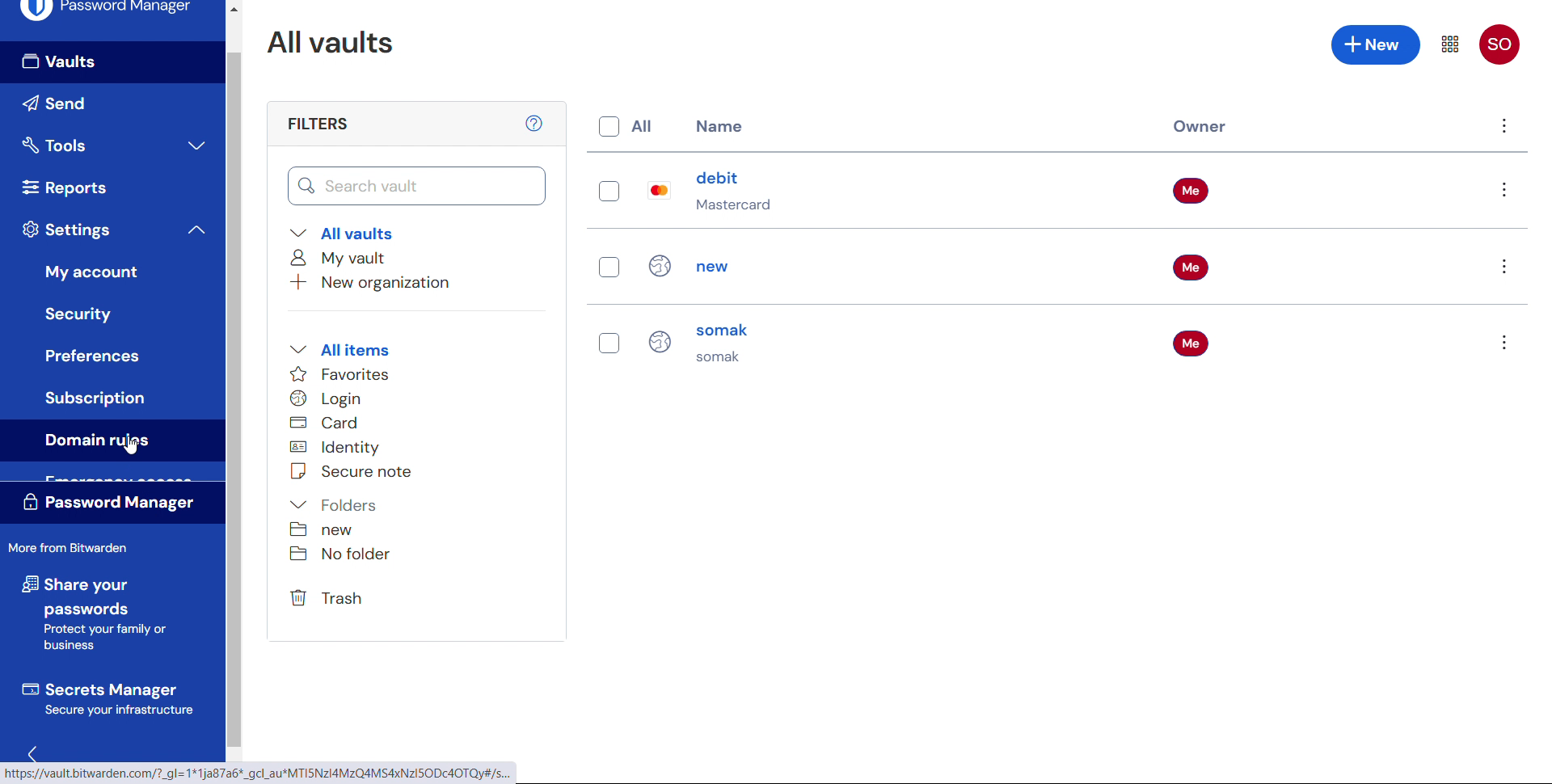  Describe the element at coordinates (341, 373) in the screenshot. I see `Favourites ` at that location.